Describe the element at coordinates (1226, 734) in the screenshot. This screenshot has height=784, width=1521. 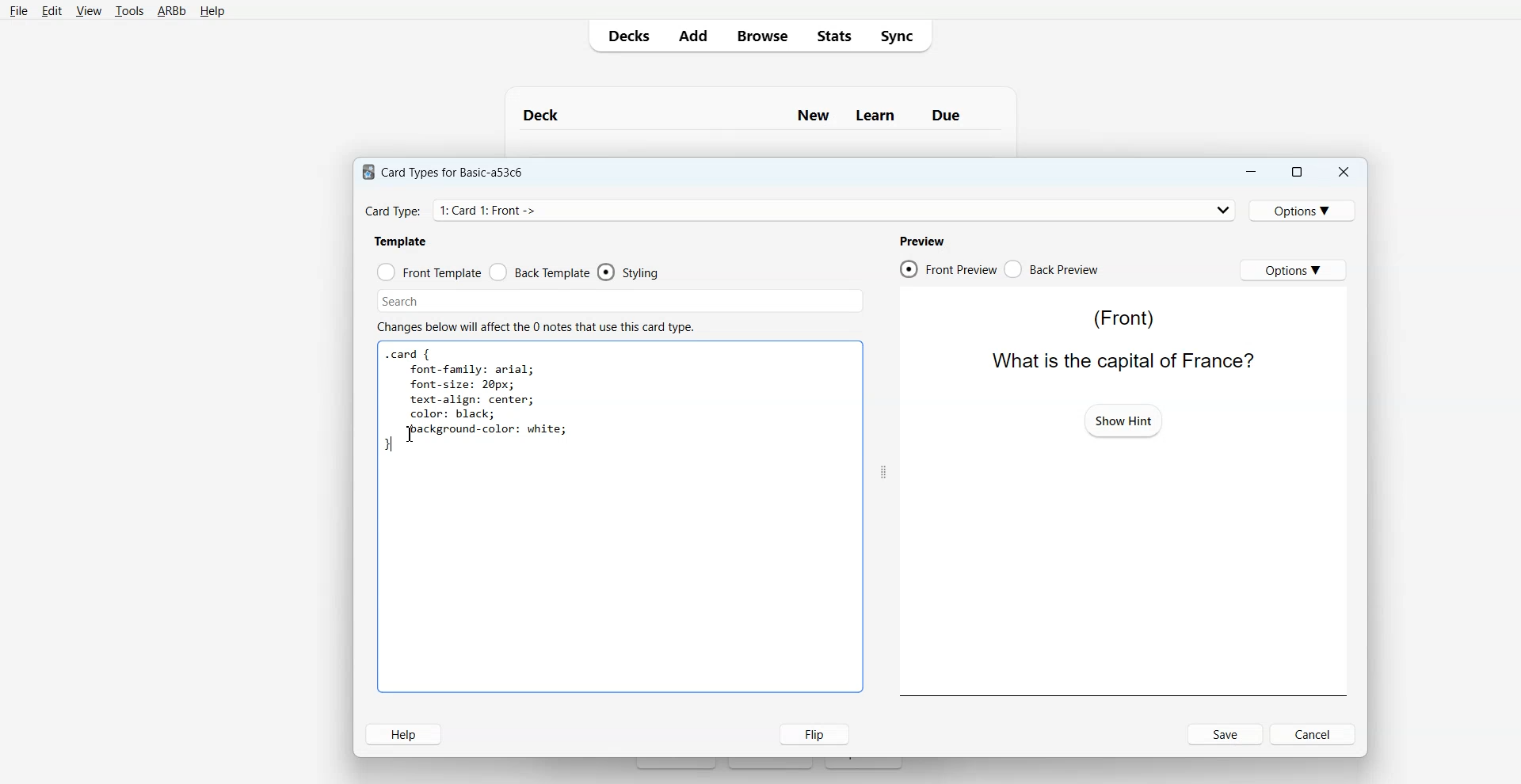
I see `Save` at that location.